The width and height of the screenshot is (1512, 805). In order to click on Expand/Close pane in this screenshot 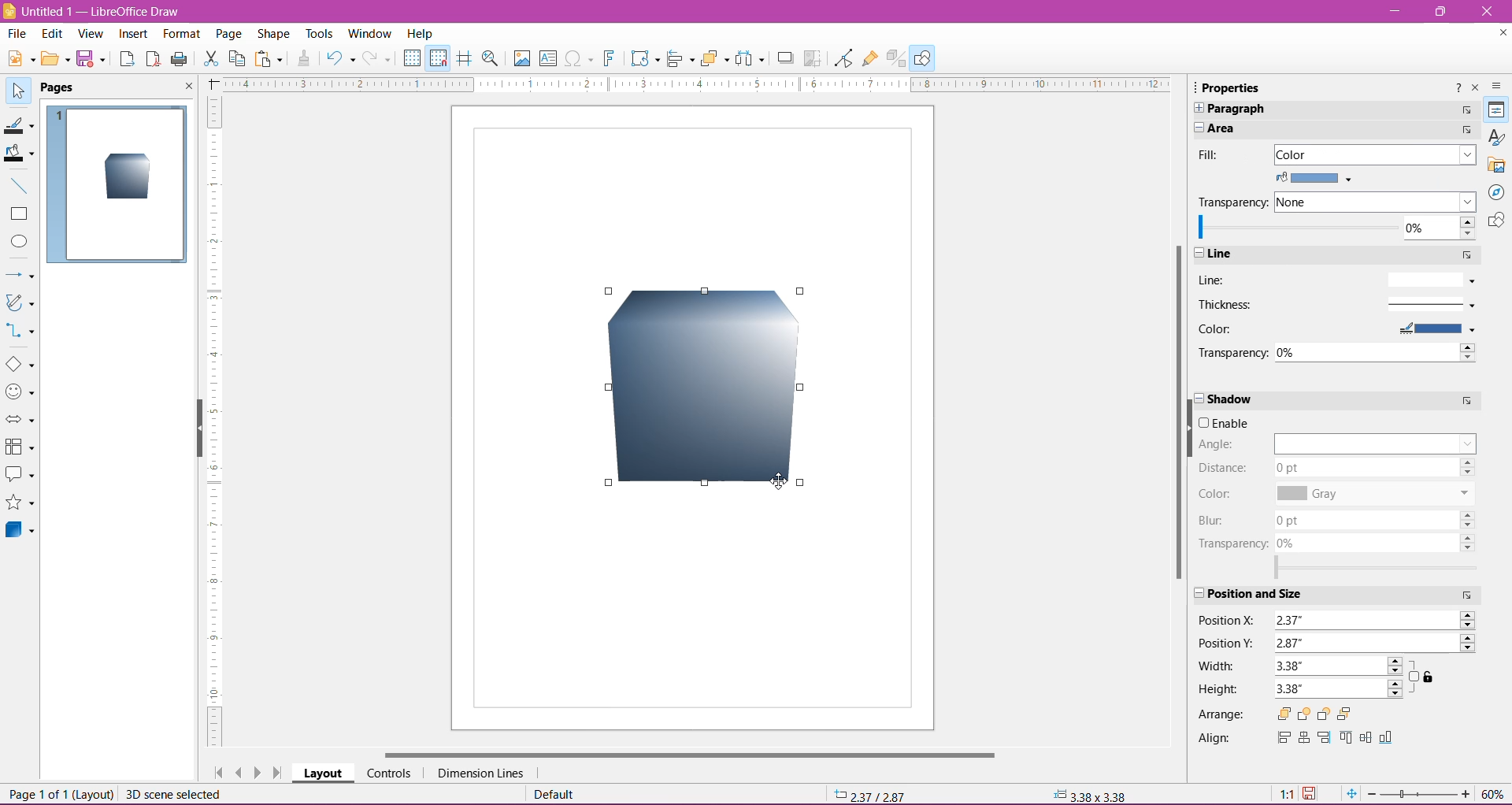, I will do `click(1199, 128)`.